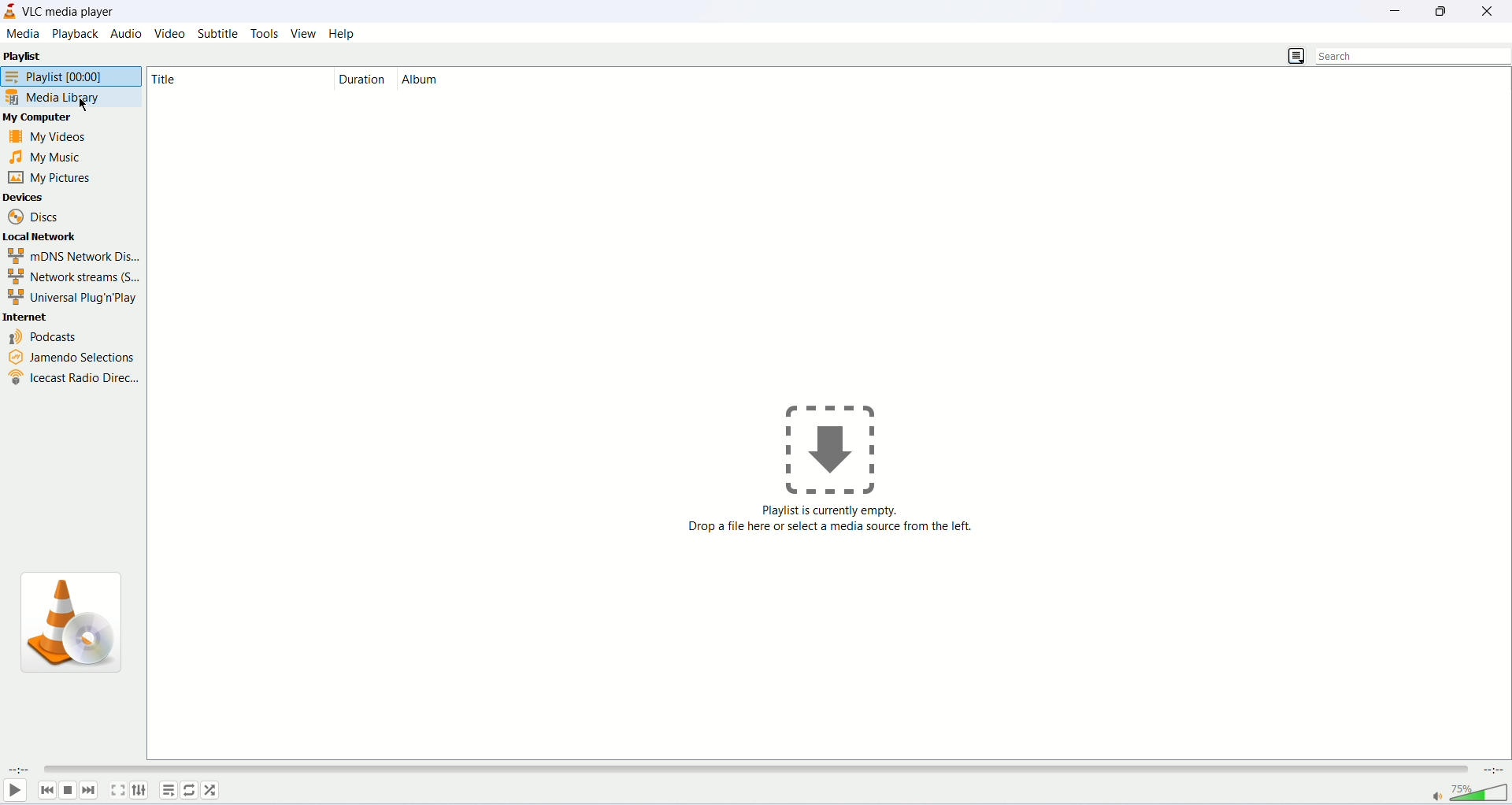  I want to click on shuffle, so click(212, 790).